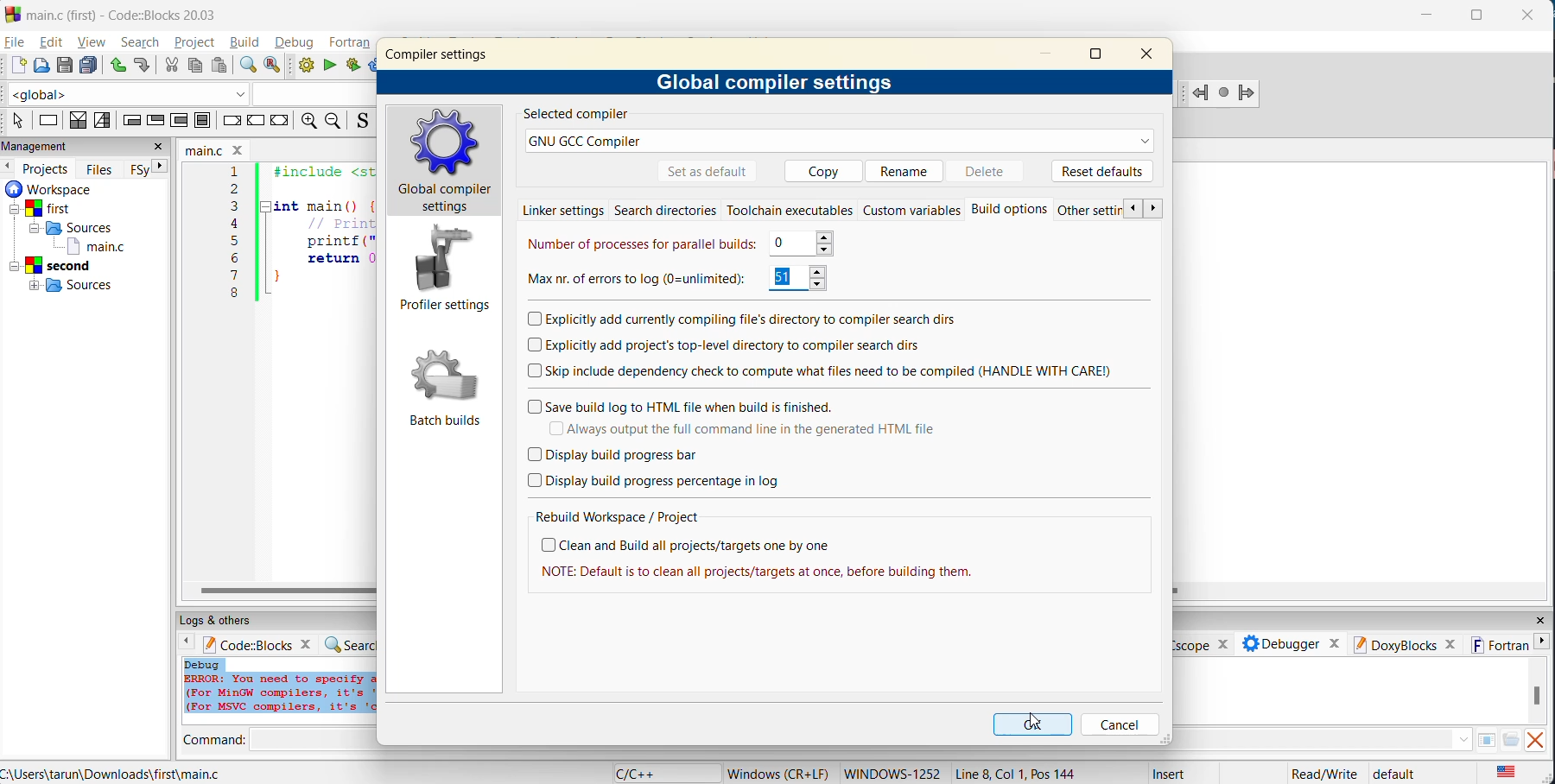  Describe the element at coordinates (119, 66) in the screenshot. I see `undo` at that location.